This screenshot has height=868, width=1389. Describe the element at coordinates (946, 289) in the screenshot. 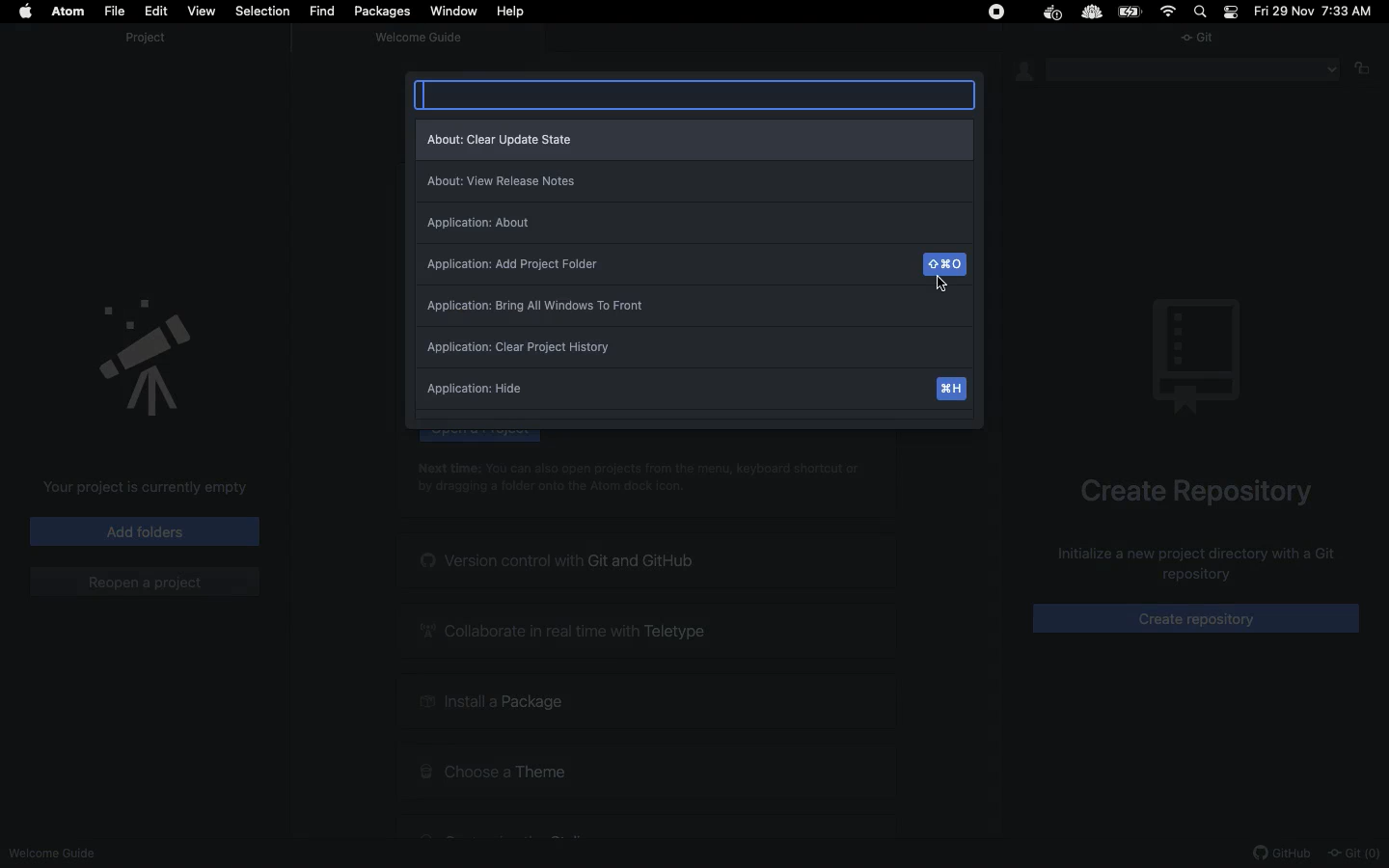

I see `cursor` at that location.